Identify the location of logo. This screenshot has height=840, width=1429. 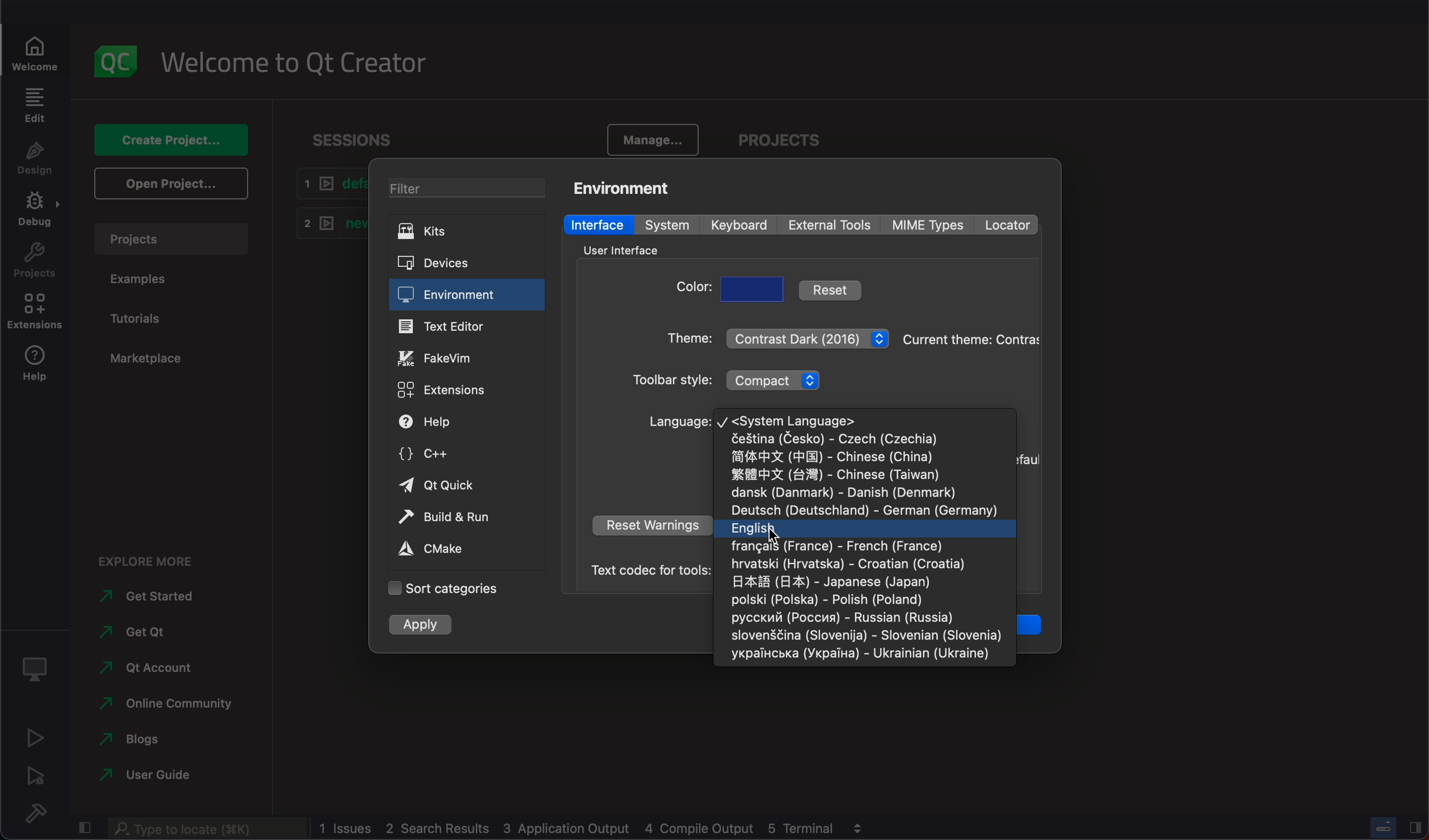
(113, 59).